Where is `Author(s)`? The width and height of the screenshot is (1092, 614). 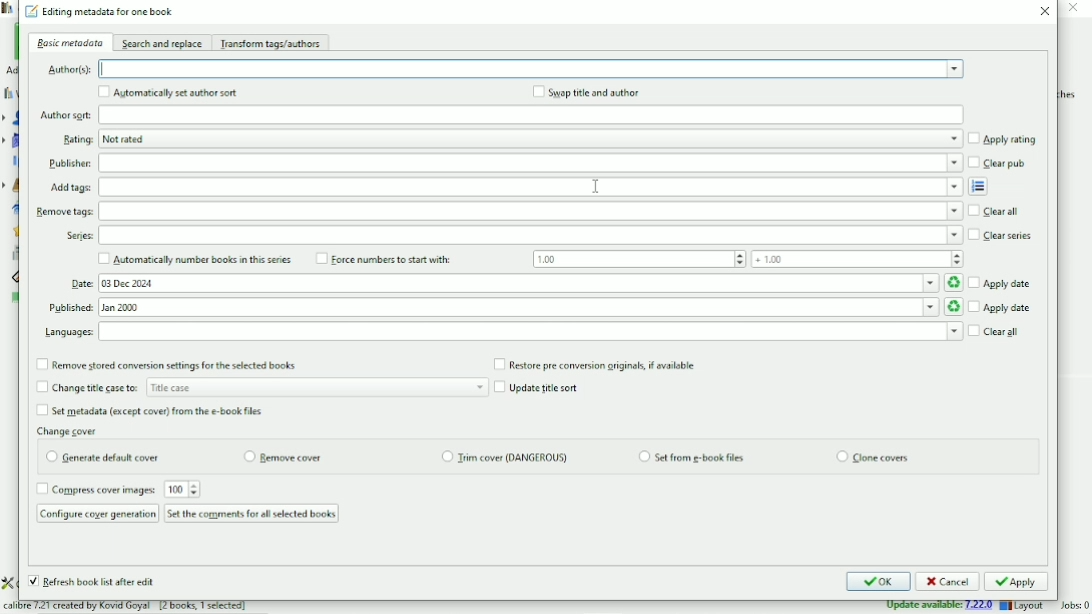
Author(s) is located at coordinates (532, 68).